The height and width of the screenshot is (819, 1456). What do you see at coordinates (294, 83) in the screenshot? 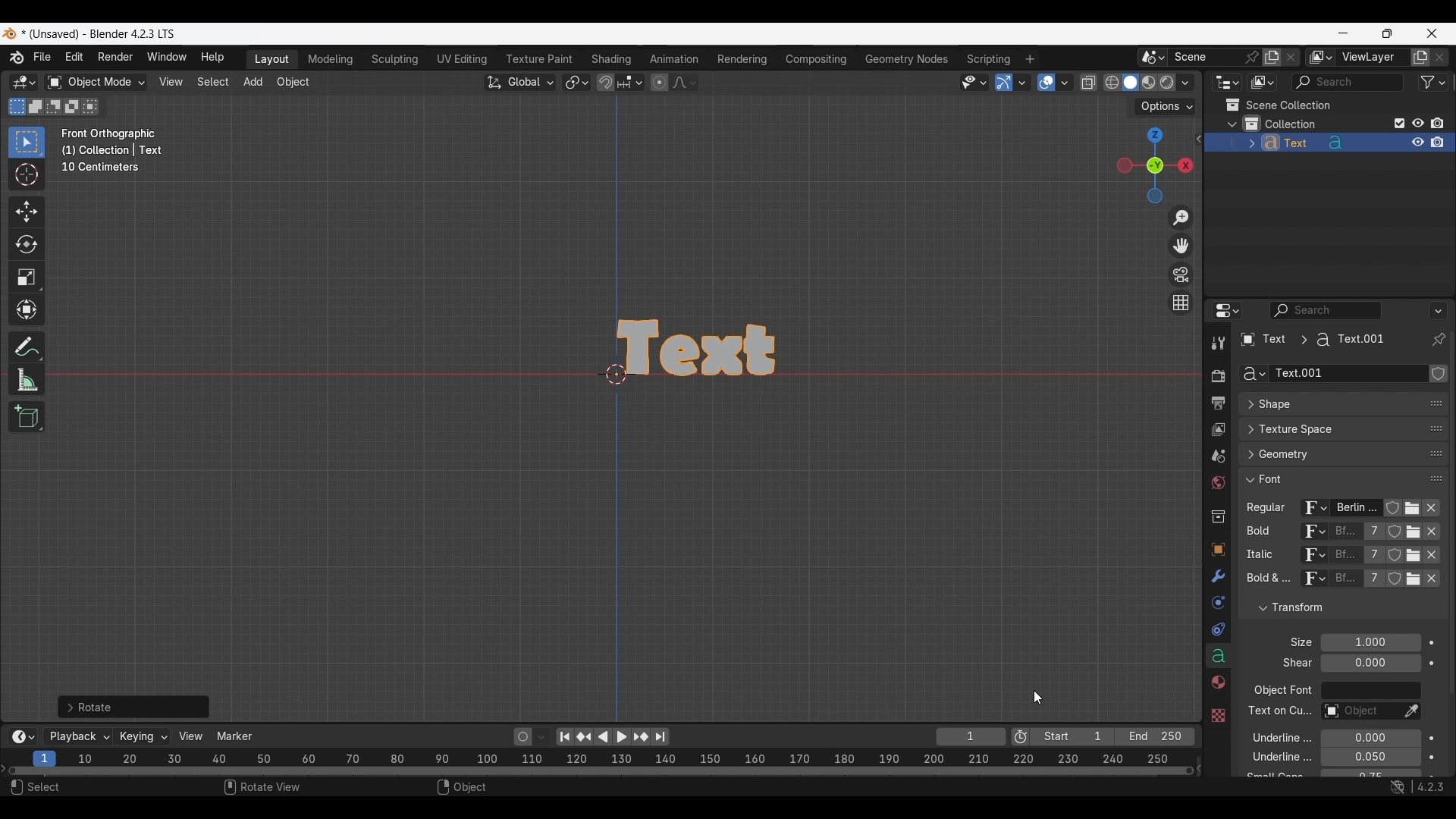
I see `Object menu` at bounding box center [294, 83].